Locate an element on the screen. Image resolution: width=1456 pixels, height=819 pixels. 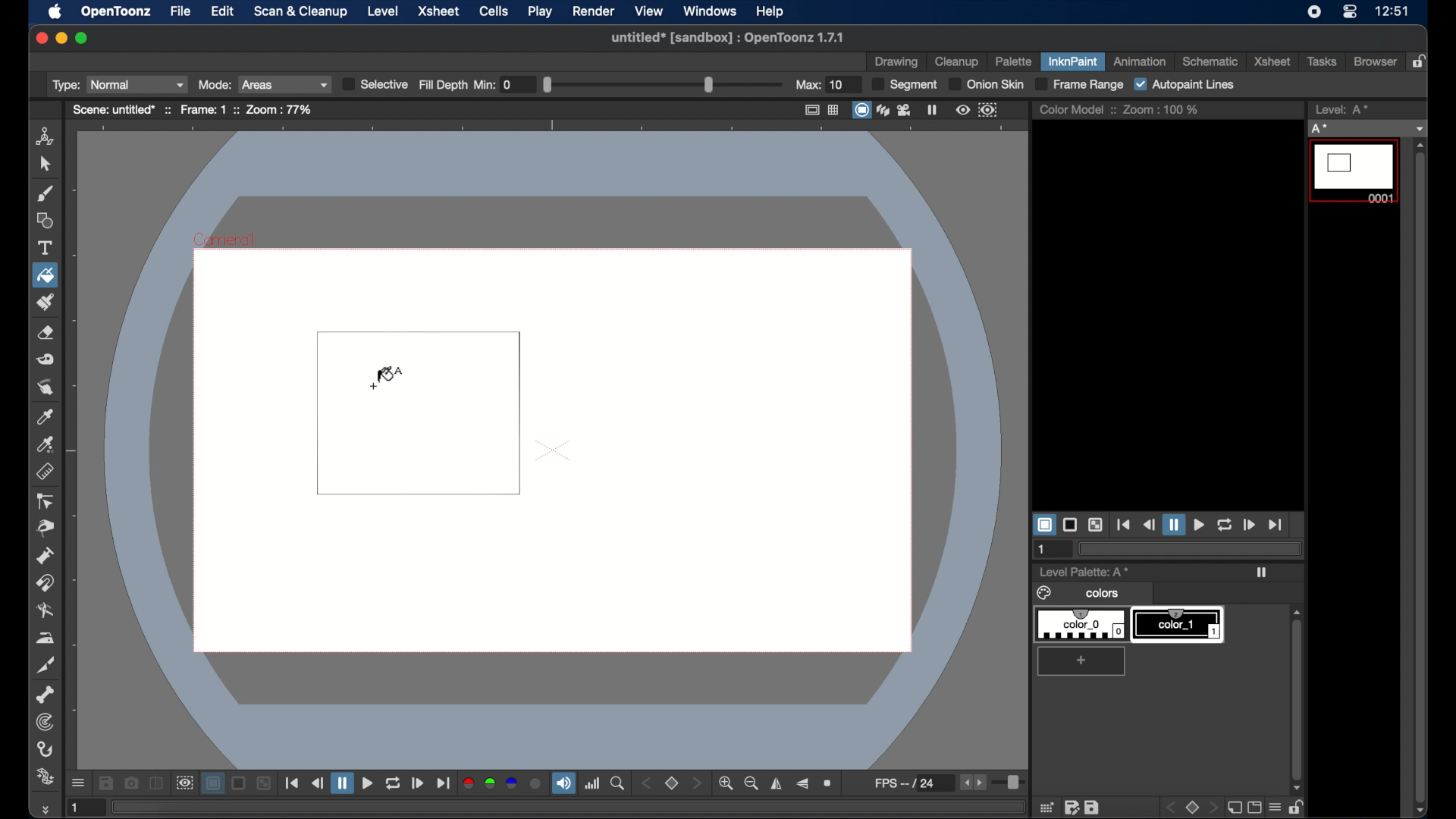
level strip is located at coordinates (1344, 109).